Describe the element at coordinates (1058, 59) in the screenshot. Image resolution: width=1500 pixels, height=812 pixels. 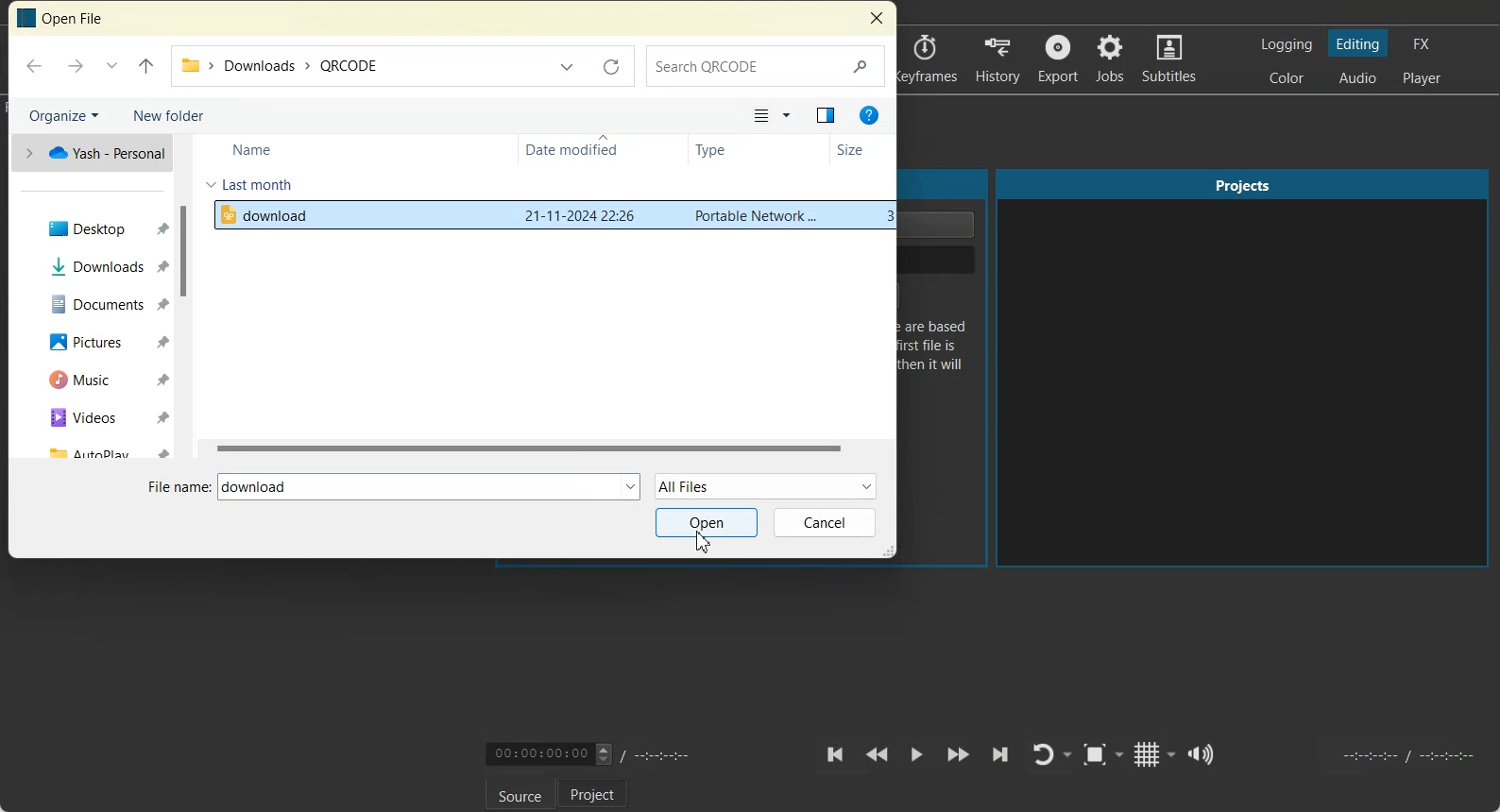
I see `Export` at that location.